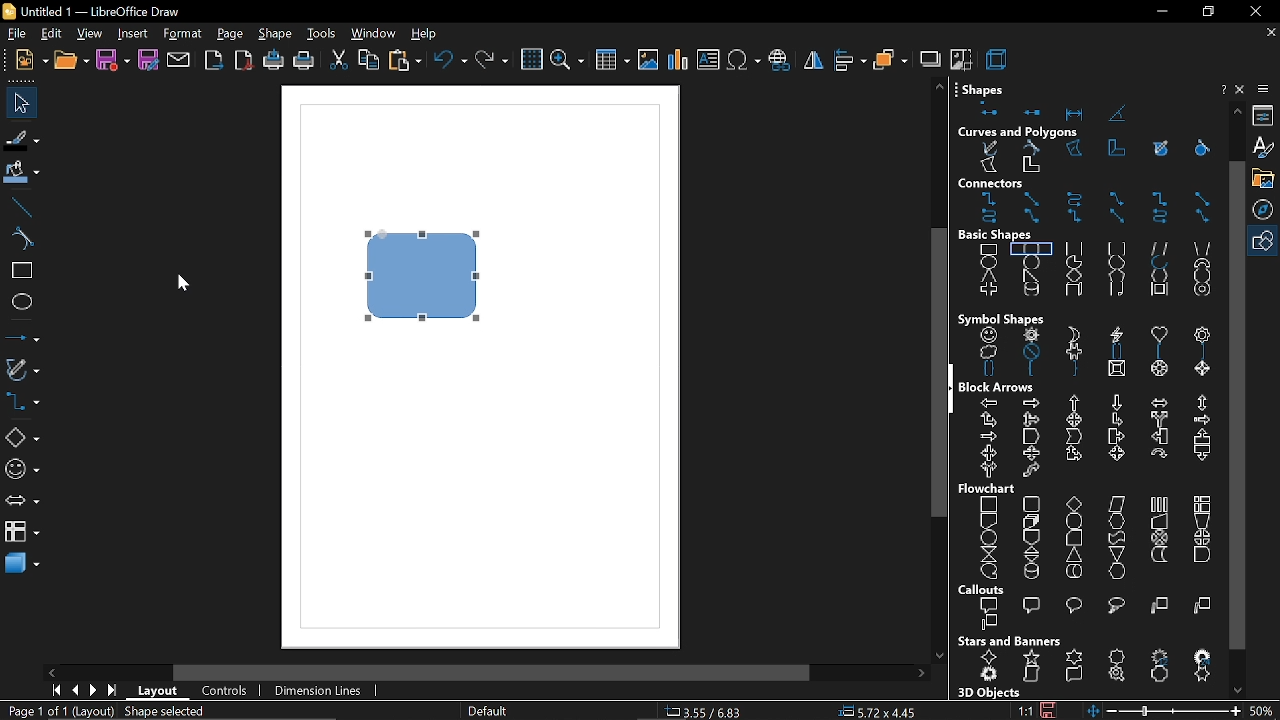 This screenshot has height=720, width=1280. I want to click on 3d shapes, so click(20, 565).